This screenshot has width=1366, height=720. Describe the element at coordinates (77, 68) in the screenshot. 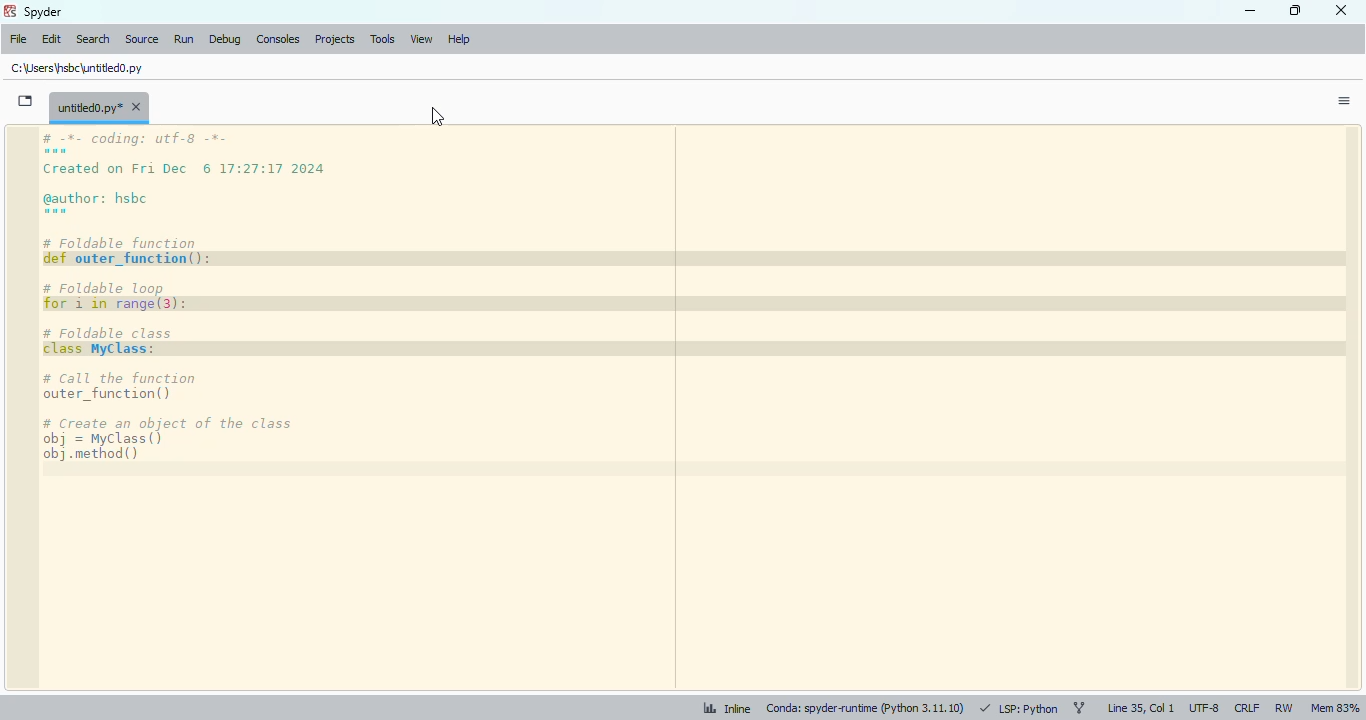

I see `untitled0.py` at that location.